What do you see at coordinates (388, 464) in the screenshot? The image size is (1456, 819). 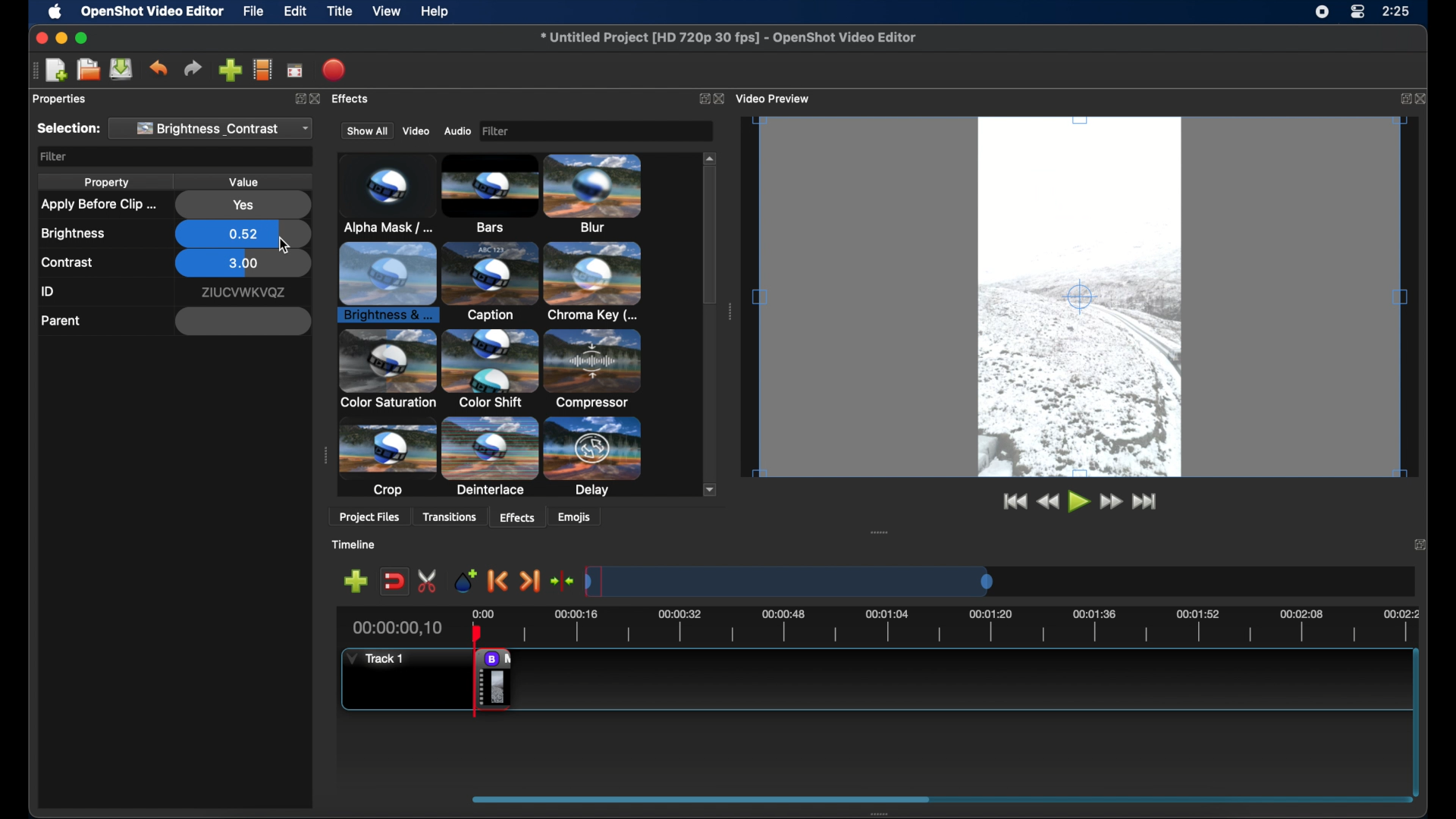 I see `echo` at bounding box center [388, 464].